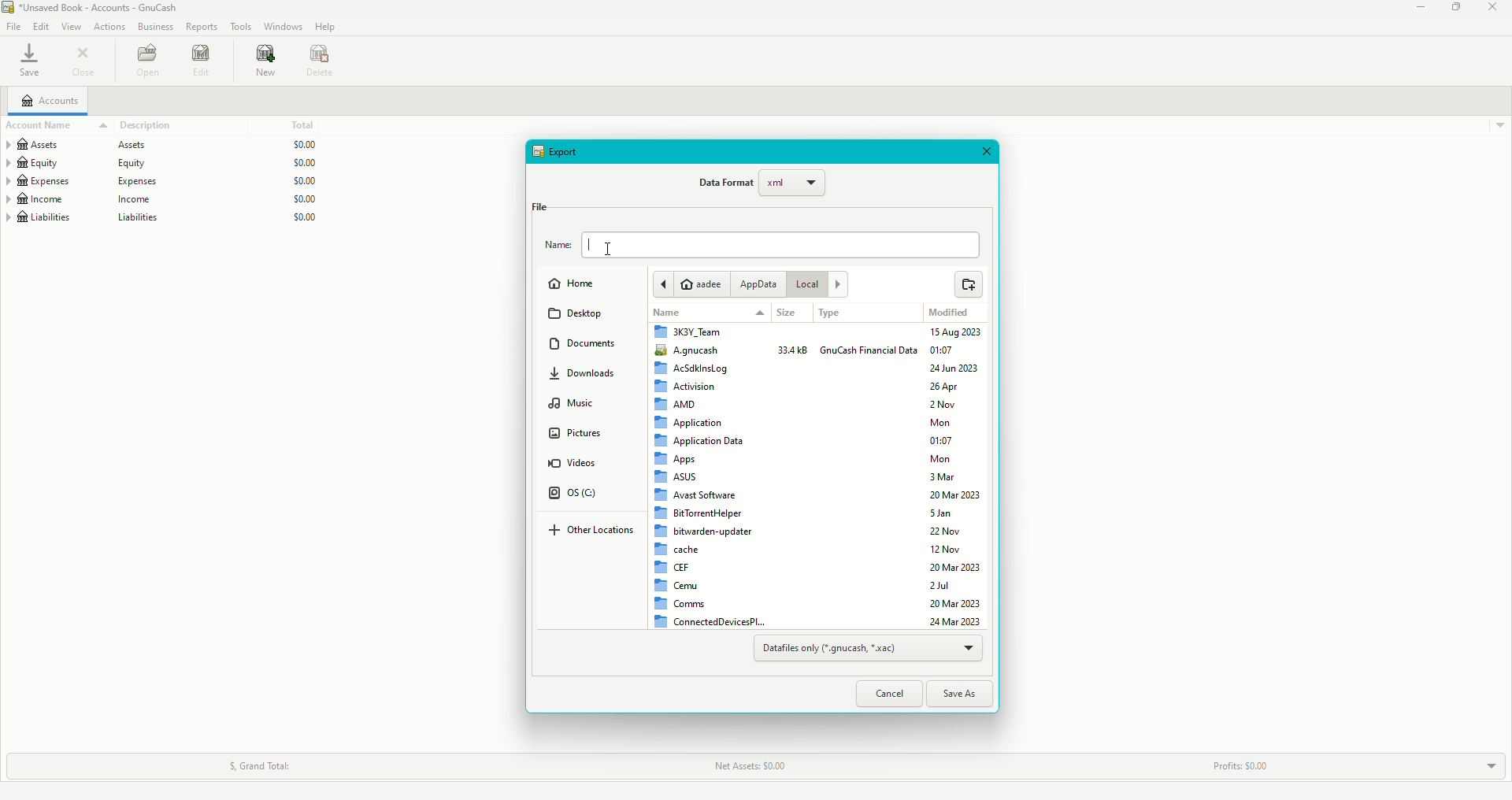  What do you see at coordinates (786, 313) in the screenshot?
I see `Size` at bounding box center [786, 313].